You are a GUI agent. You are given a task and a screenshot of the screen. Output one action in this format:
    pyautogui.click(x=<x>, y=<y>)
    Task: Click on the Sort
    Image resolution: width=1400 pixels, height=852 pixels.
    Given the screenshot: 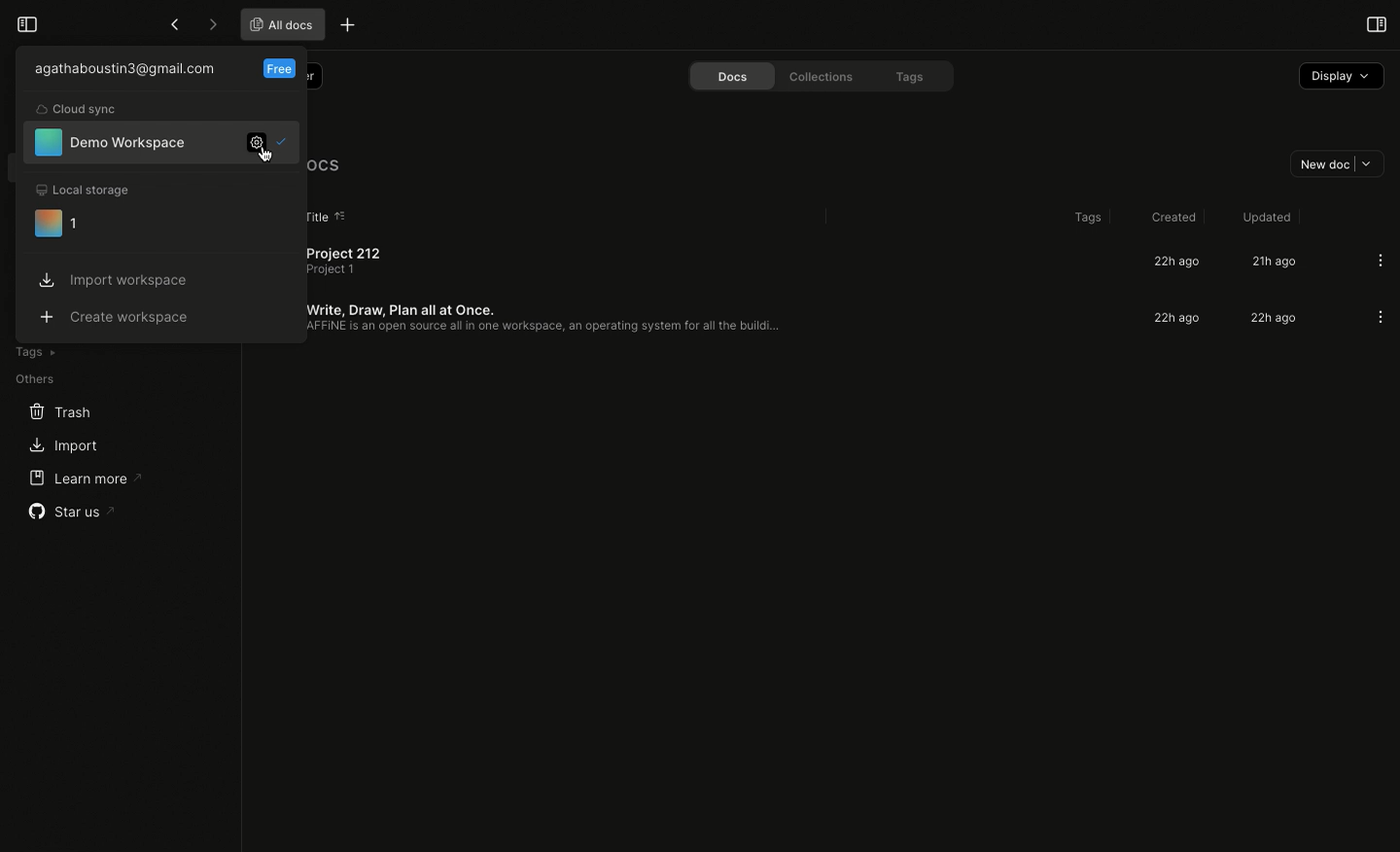 What is the action you would take?
    pyautogui.click(x=344, y=214)
    